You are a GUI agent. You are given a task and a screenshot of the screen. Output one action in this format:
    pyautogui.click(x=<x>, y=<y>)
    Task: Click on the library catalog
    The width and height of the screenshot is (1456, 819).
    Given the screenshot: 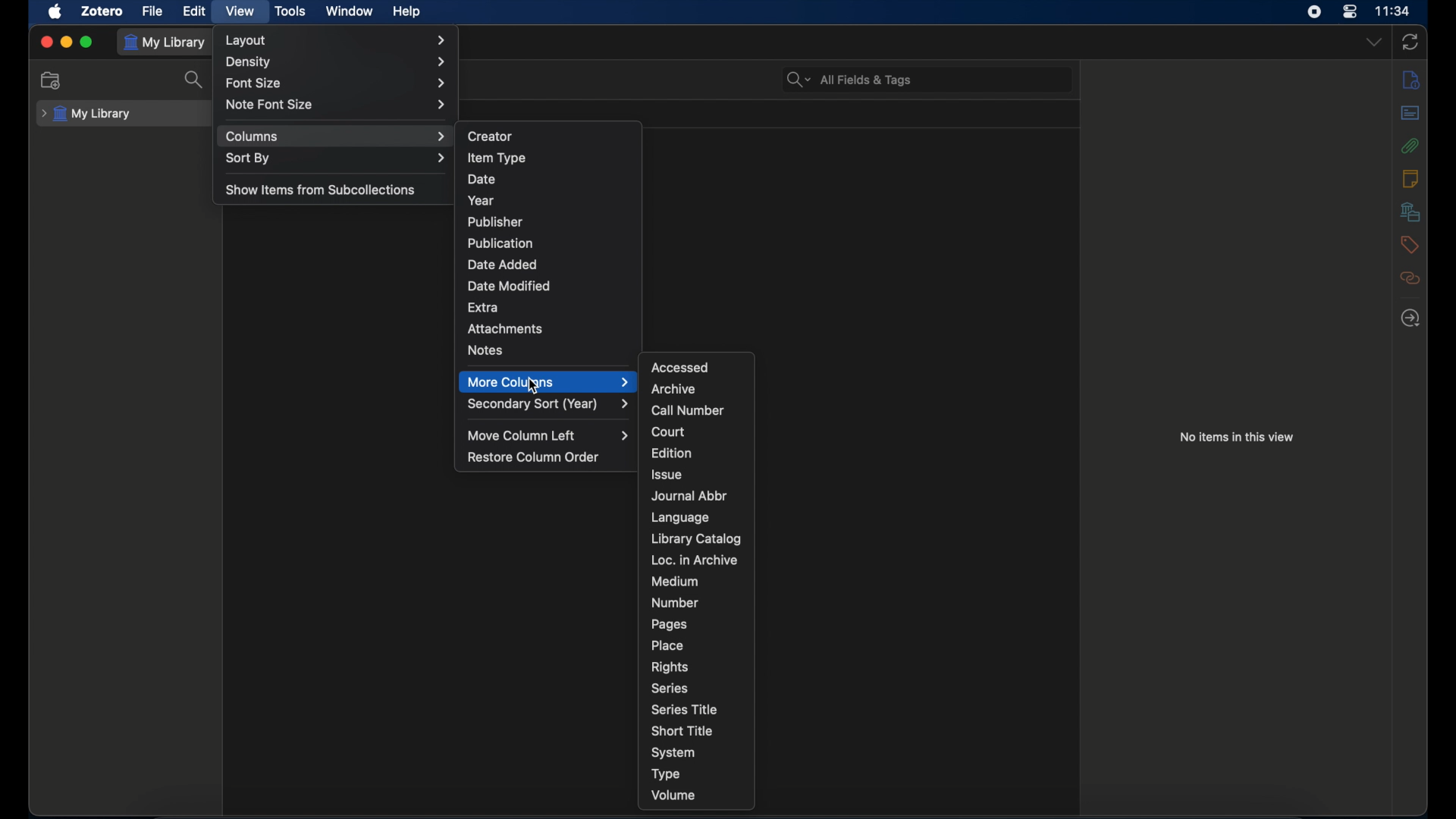 What is the action you would take?
    pyautogui.click(x=695, y=539)
    